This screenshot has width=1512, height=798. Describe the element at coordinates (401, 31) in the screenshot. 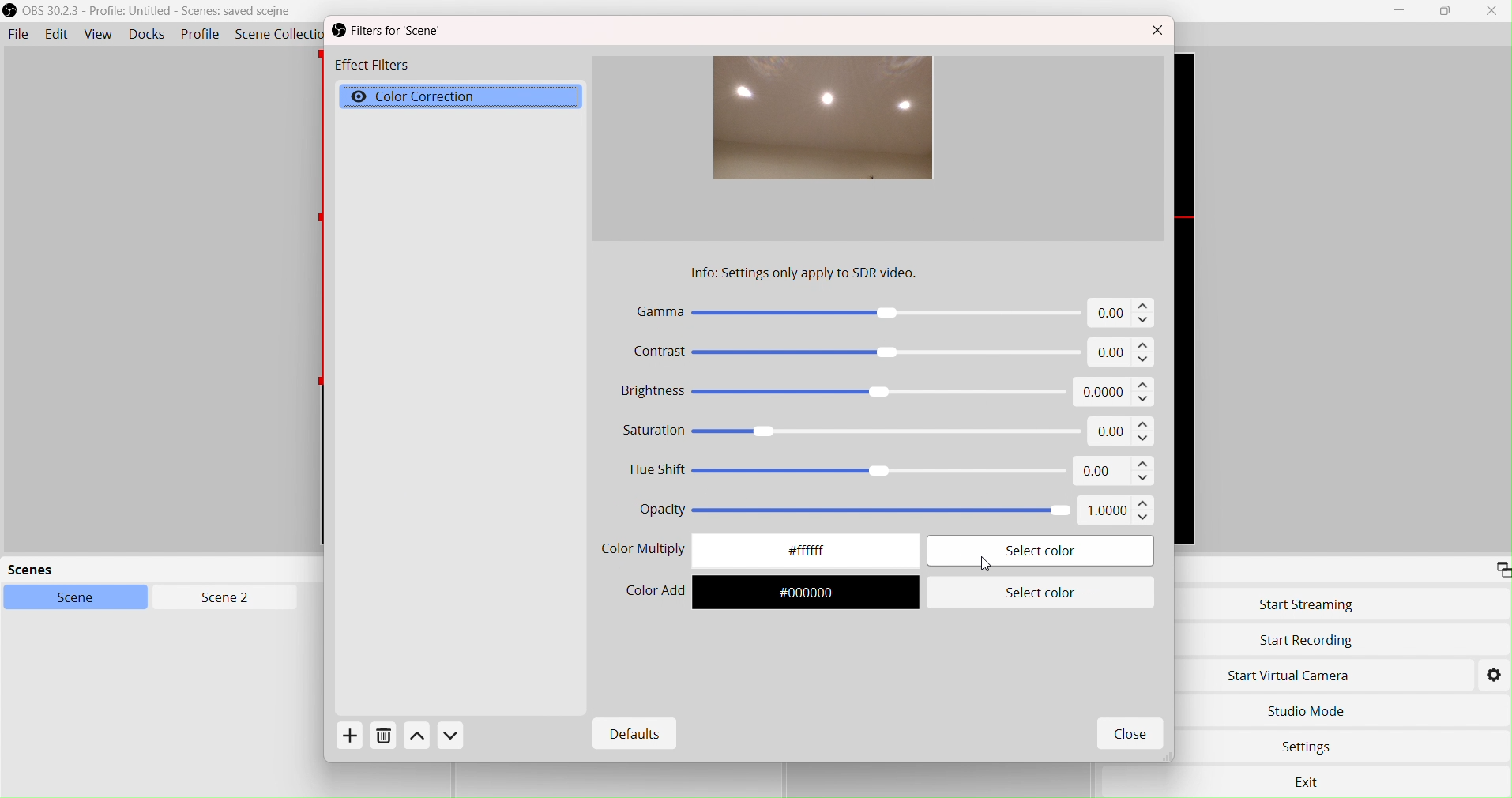

I see `Filters` at that location.